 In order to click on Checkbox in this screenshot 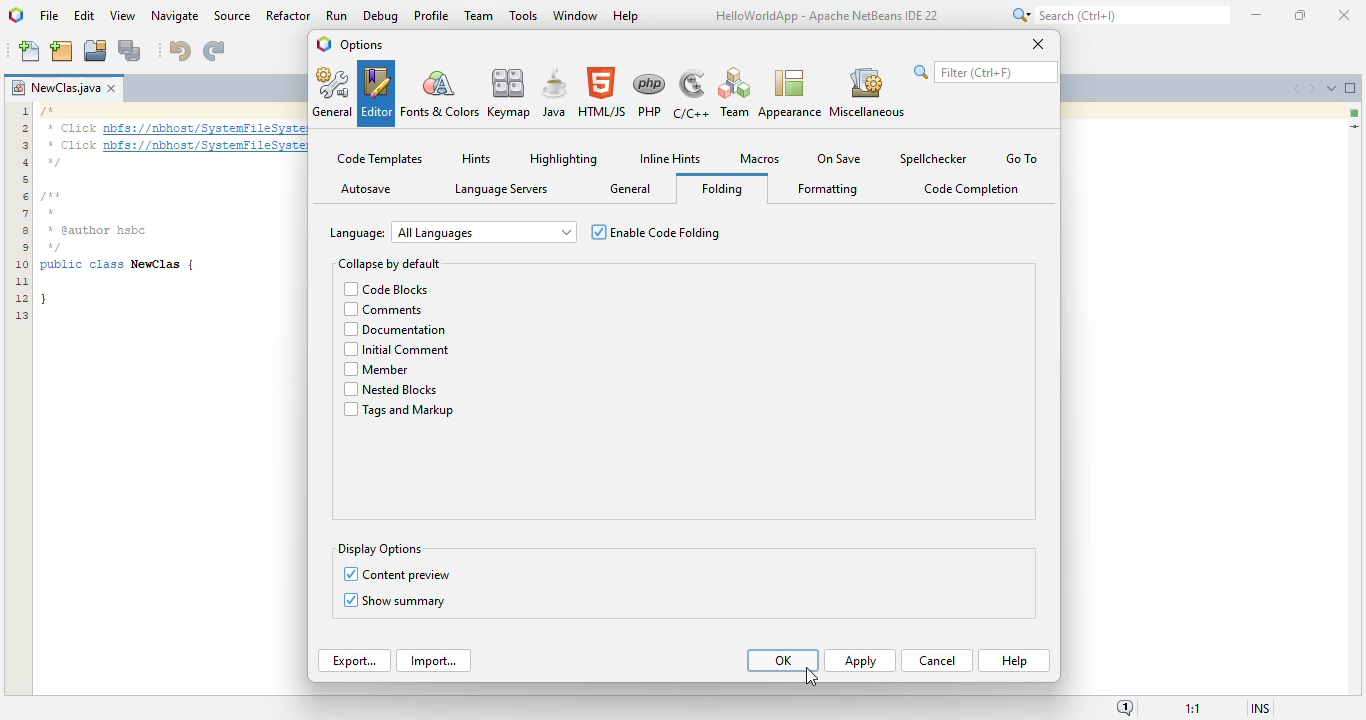, I will do `click(349, 573)`.